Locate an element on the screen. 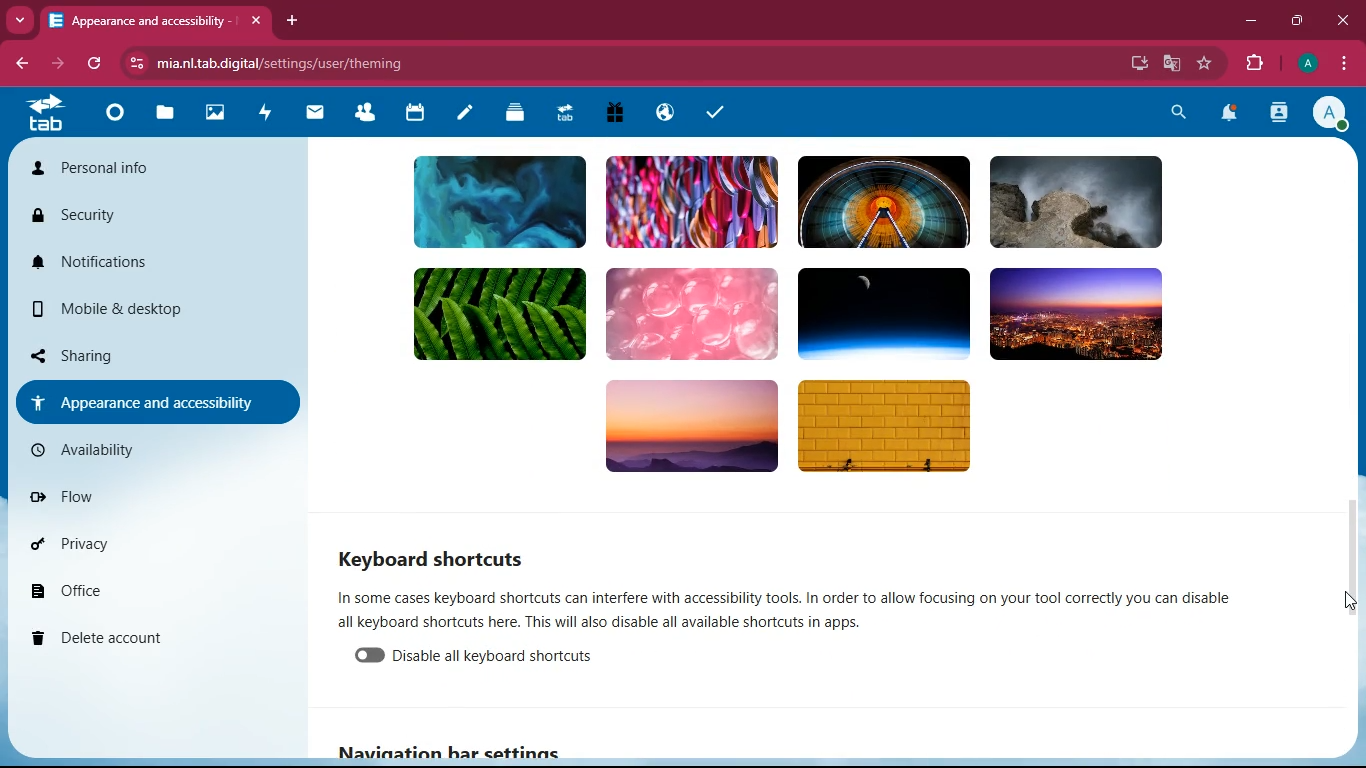 This screenshot has height=768, width=1366. extension is located at coordinates (1252, 64).